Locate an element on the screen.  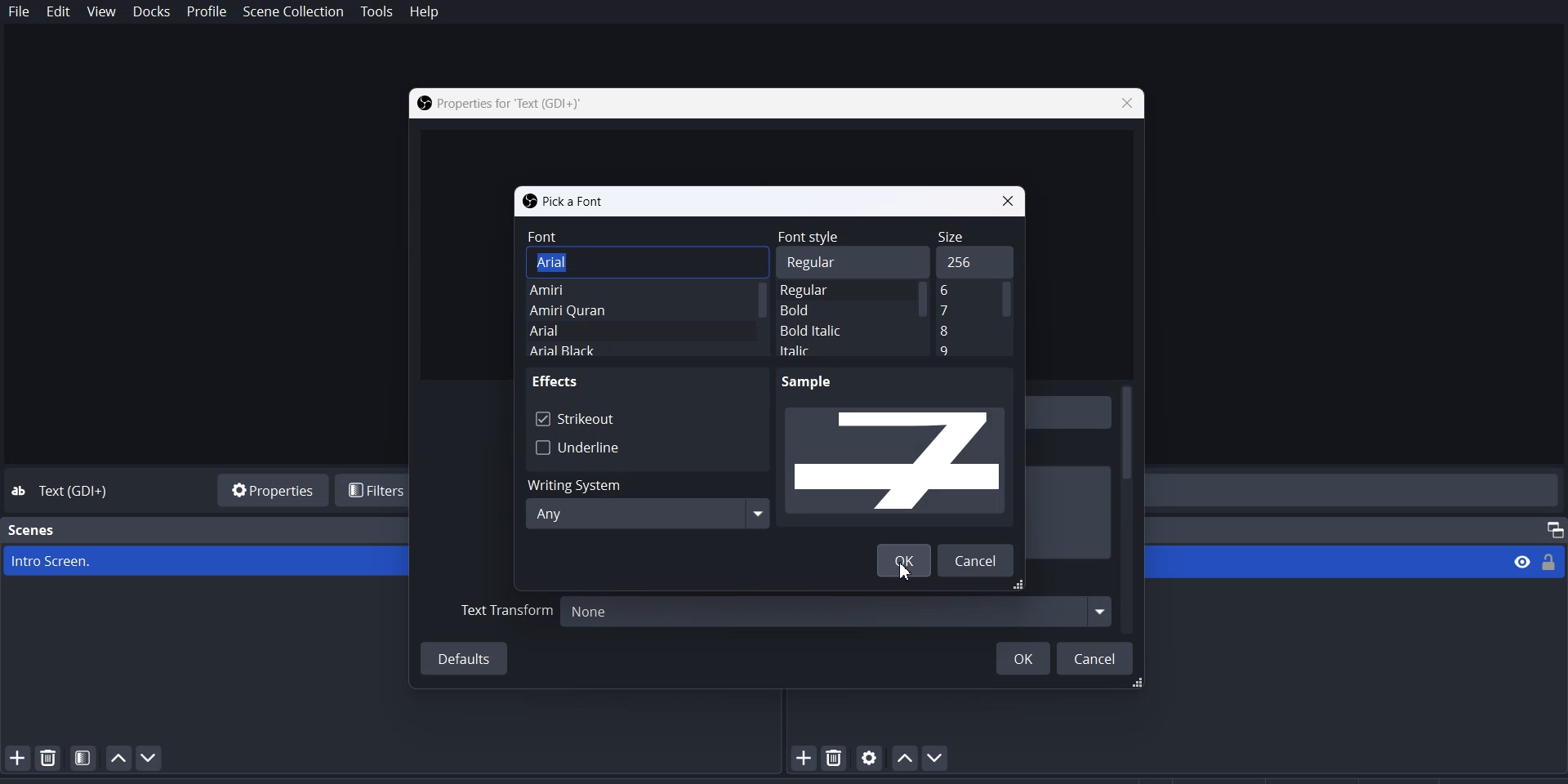
Remove Selected Scene is located at coordinates (49, 757).